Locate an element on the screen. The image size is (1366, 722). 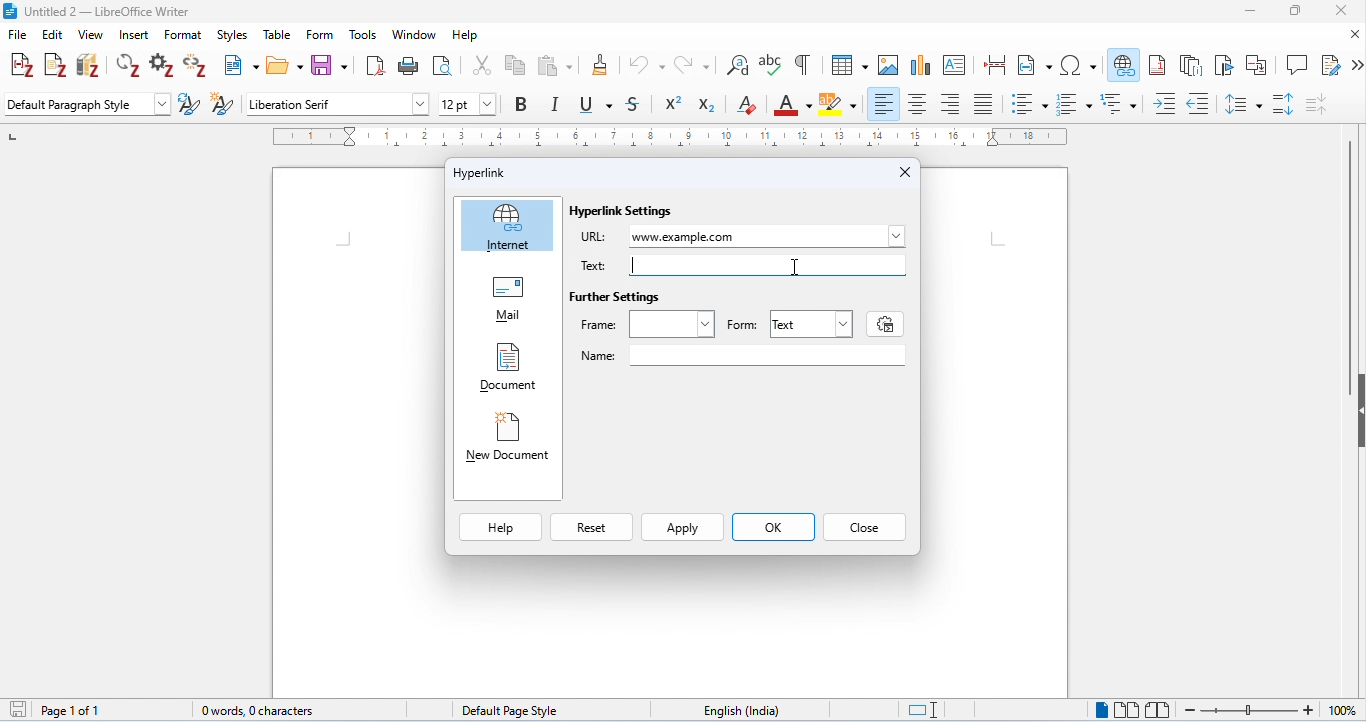
find and replace is located at coordinates (738, 65).